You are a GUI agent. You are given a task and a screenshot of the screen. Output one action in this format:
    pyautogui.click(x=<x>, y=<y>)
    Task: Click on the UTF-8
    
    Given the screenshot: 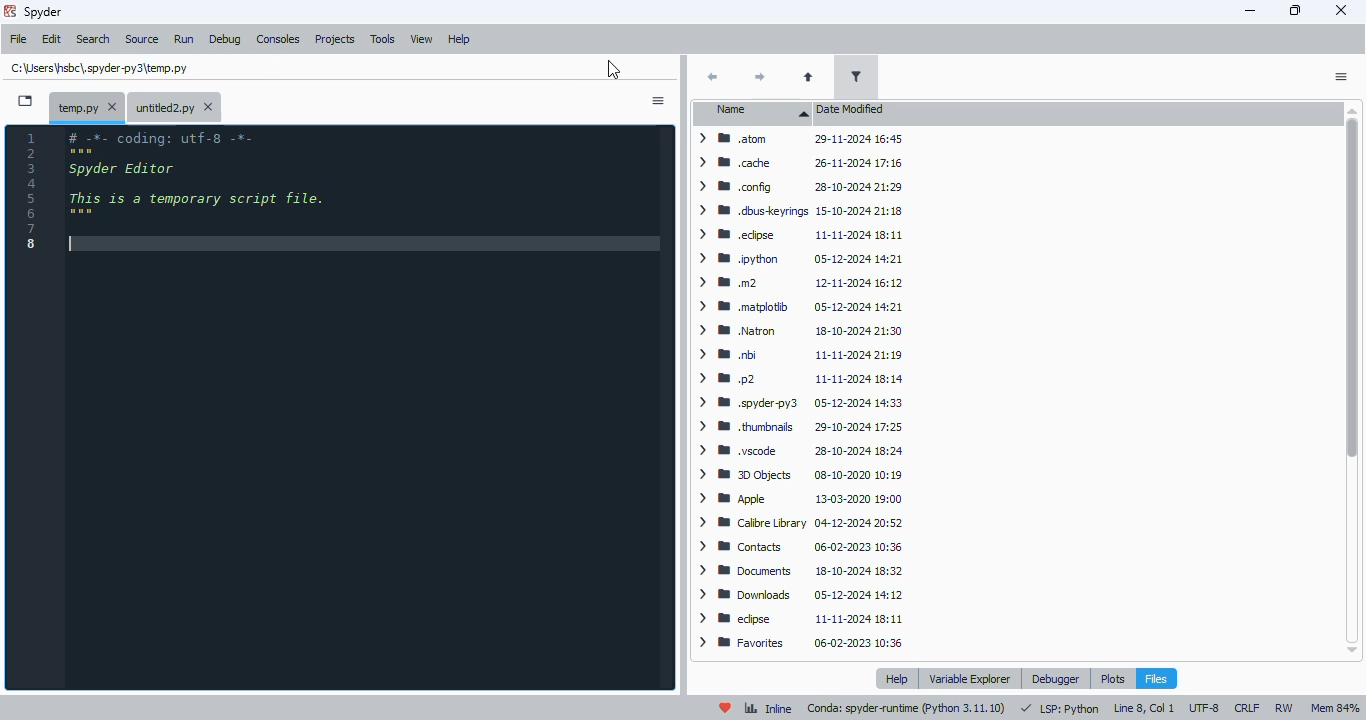 What is the action you would take?
    pyautogui.click(x=1205, y=709)
    